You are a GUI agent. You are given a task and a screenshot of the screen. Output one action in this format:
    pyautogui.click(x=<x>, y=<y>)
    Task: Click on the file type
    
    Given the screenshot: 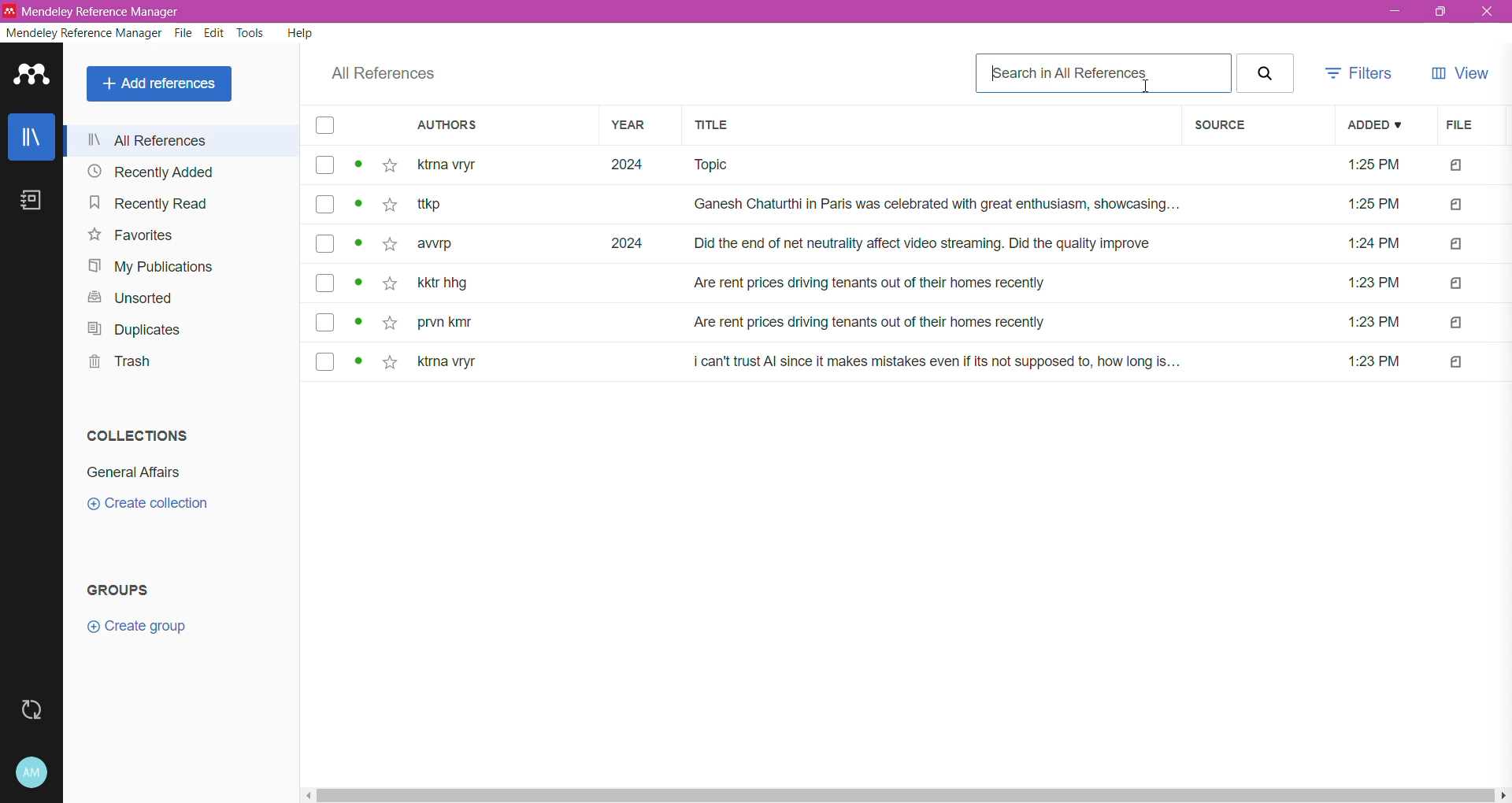 What is the action you would take?
    pyautogui.click(x=1457, y=363)
    